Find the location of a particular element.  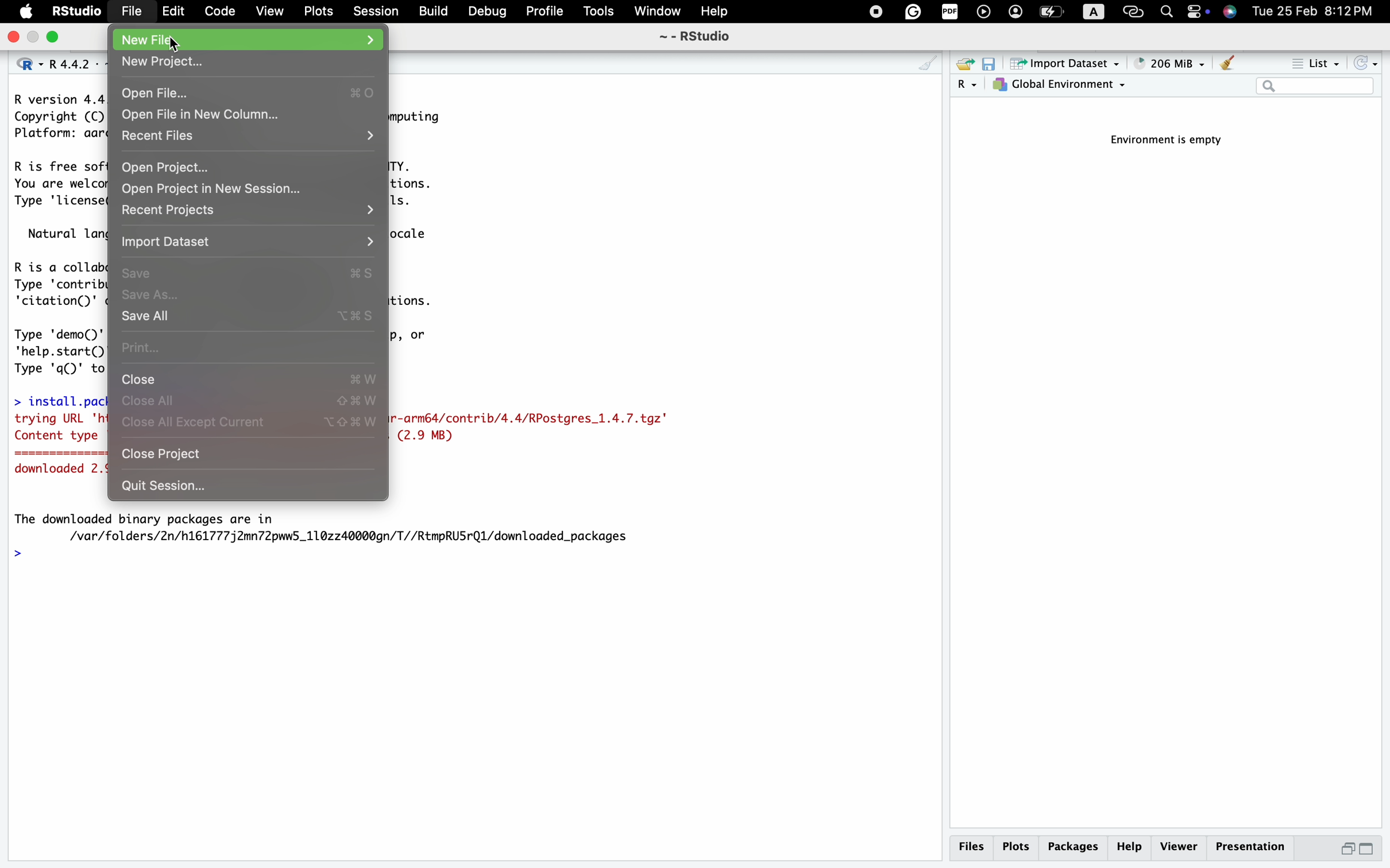

viewer is located at coordinates (1178, 847).